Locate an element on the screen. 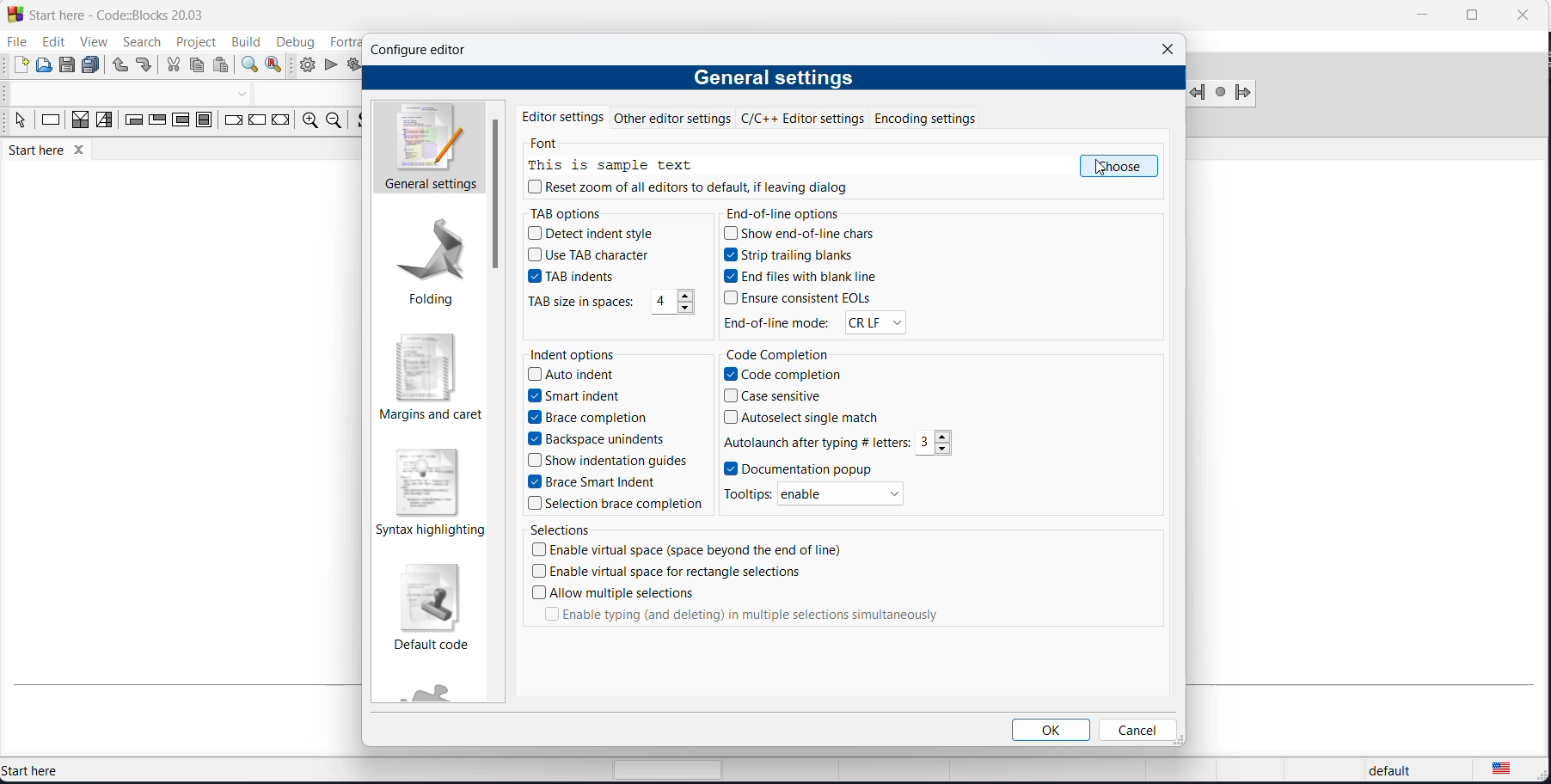  selection is located at coordinates (104, 123).